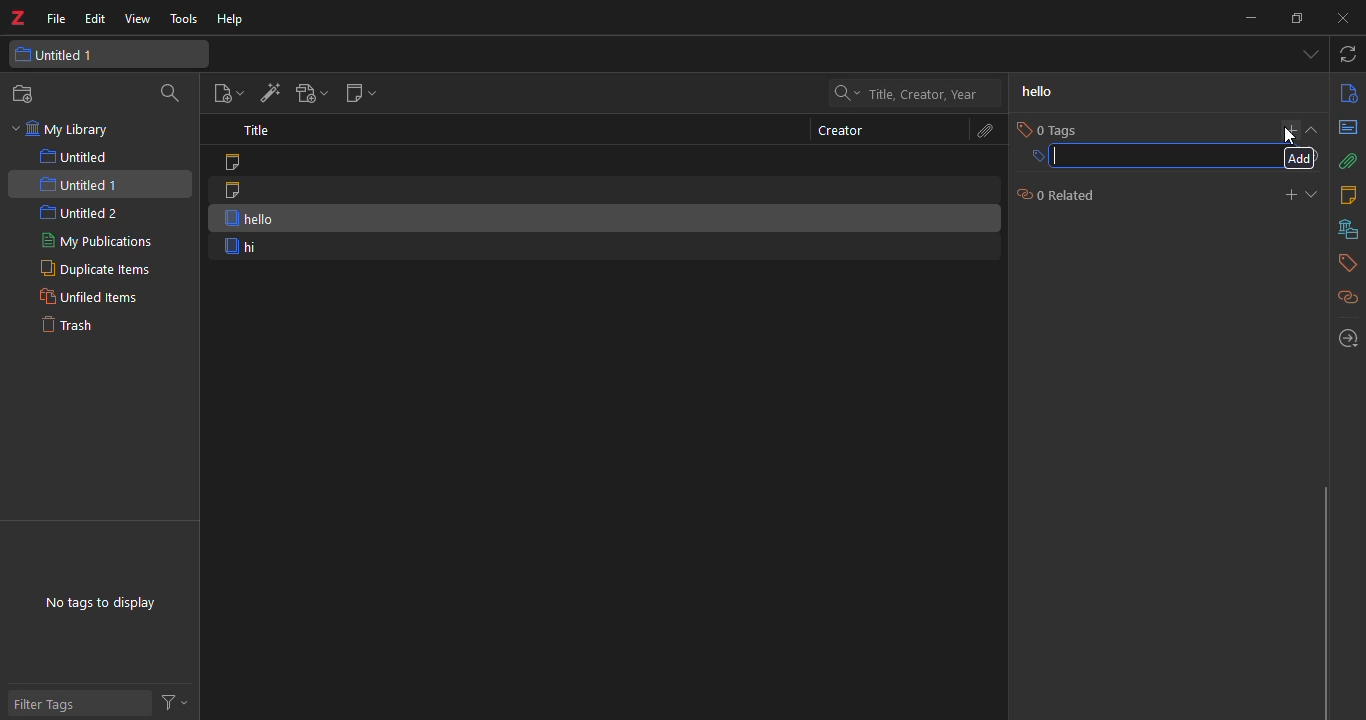  What do you see at coordinates (271, 93) in the screenshot?
I see `add item` at bounding box center [271, 93].